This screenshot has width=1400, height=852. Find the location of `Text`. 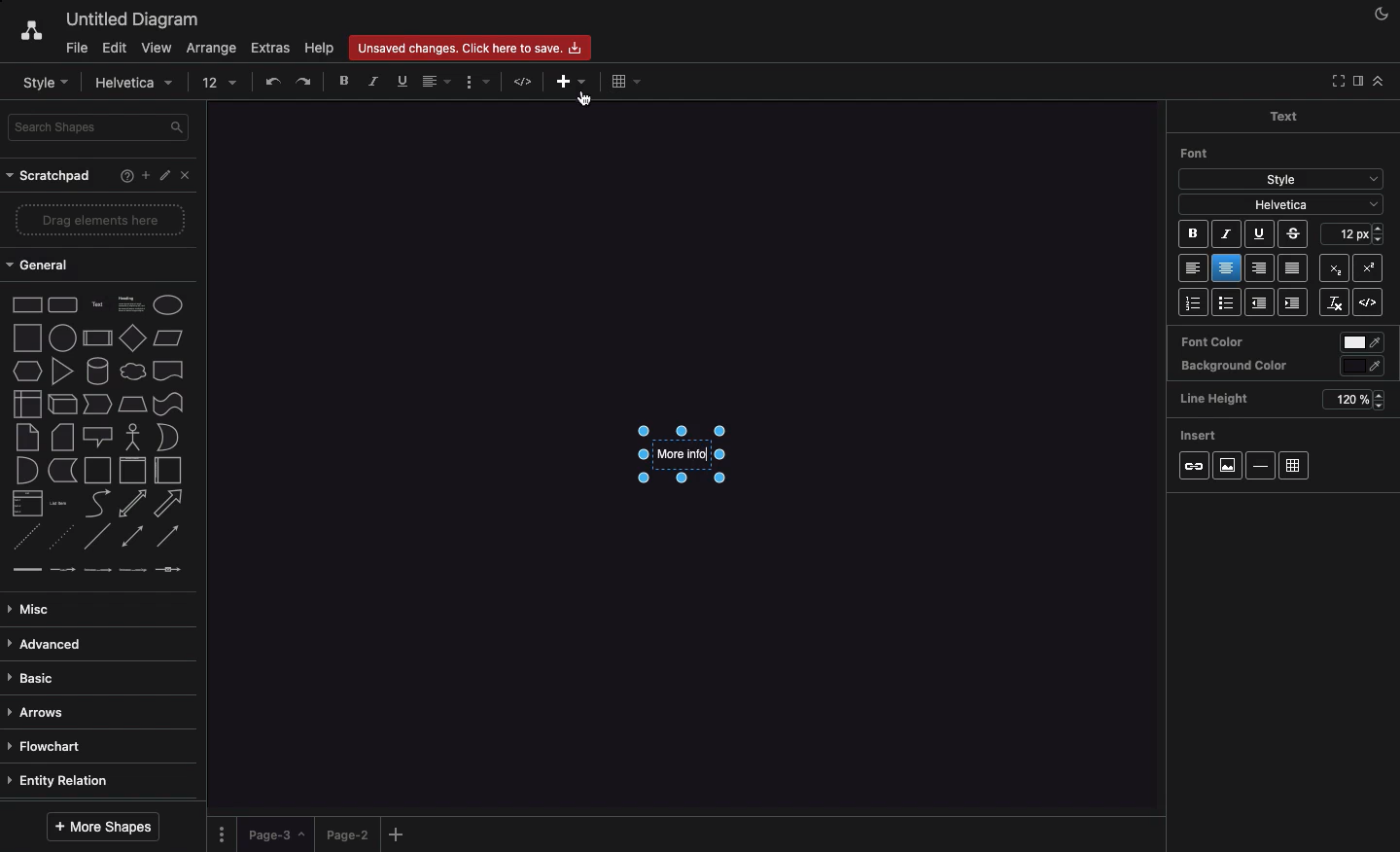

Text is located at coordinates (1282, 115).